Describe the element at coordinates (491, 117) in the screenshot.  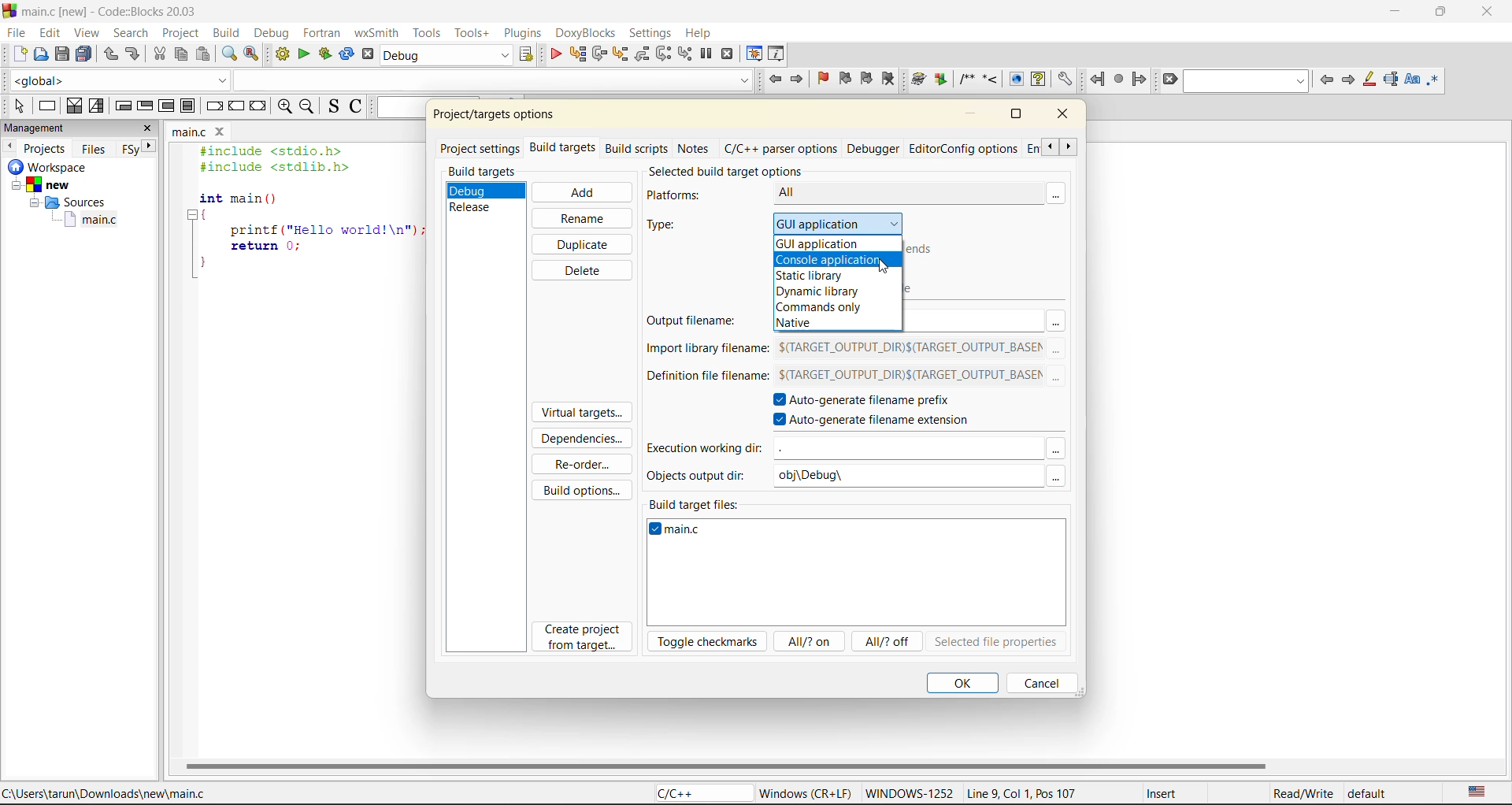
I see `project properties/options` at that location.